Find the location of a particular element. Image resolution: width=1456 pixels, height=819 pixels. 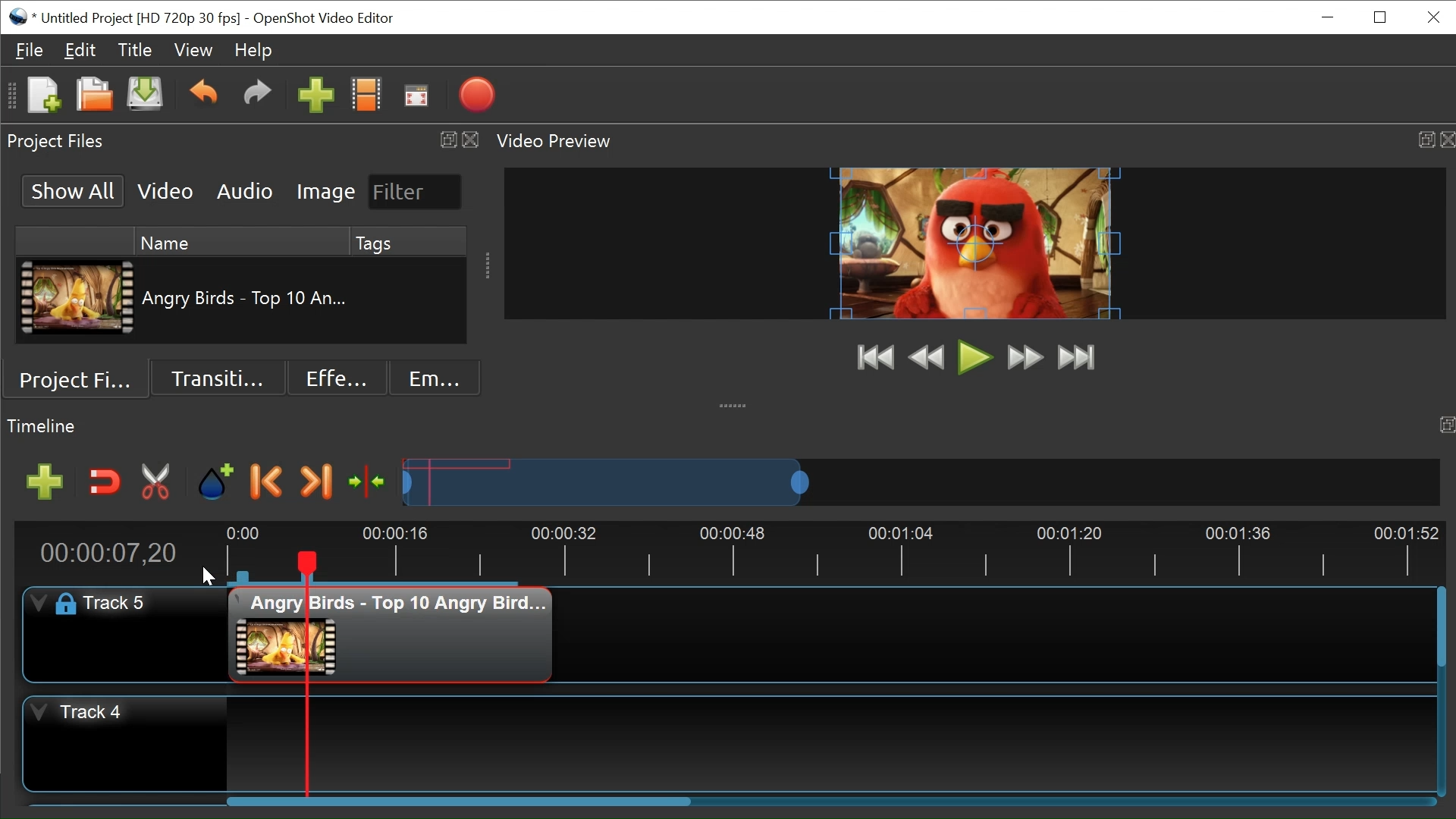

Play is located at coordinates (975, 356).